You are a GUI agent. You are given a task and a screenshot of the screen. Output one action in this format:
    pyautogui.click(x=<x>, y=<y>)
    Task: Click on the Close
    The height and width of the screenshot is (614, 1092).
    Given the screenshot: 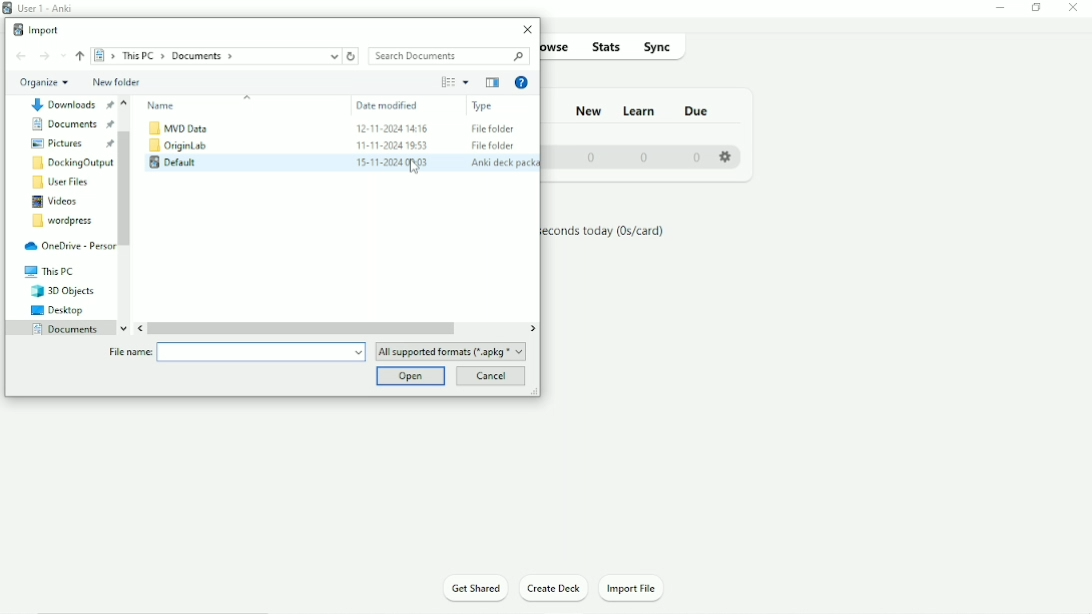 What is the action you would take?
    pyautogui.click(x=528, y=29)
    